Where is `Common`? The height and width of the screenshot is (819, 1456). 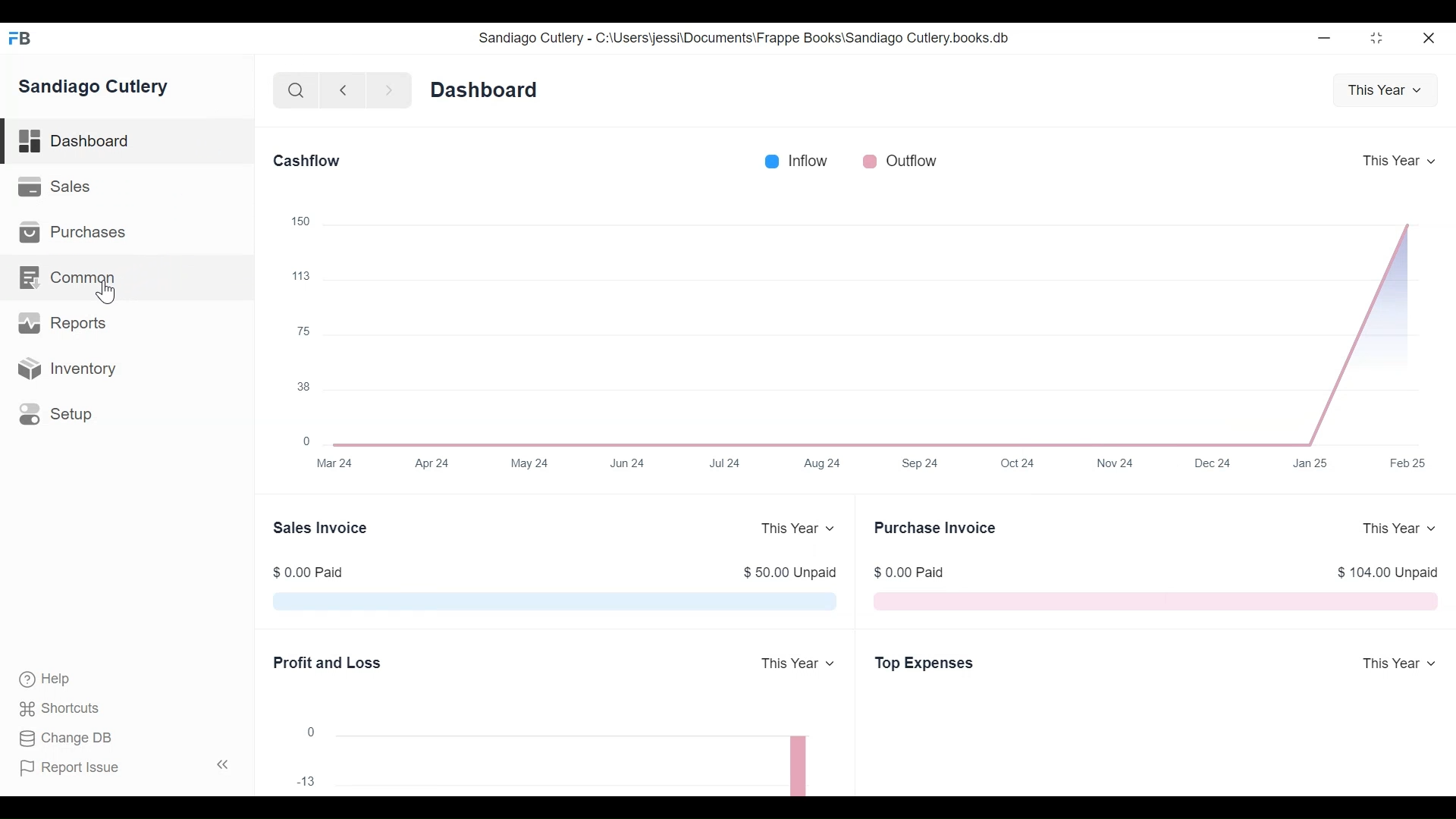 Common is located at coordinates (68, 276).